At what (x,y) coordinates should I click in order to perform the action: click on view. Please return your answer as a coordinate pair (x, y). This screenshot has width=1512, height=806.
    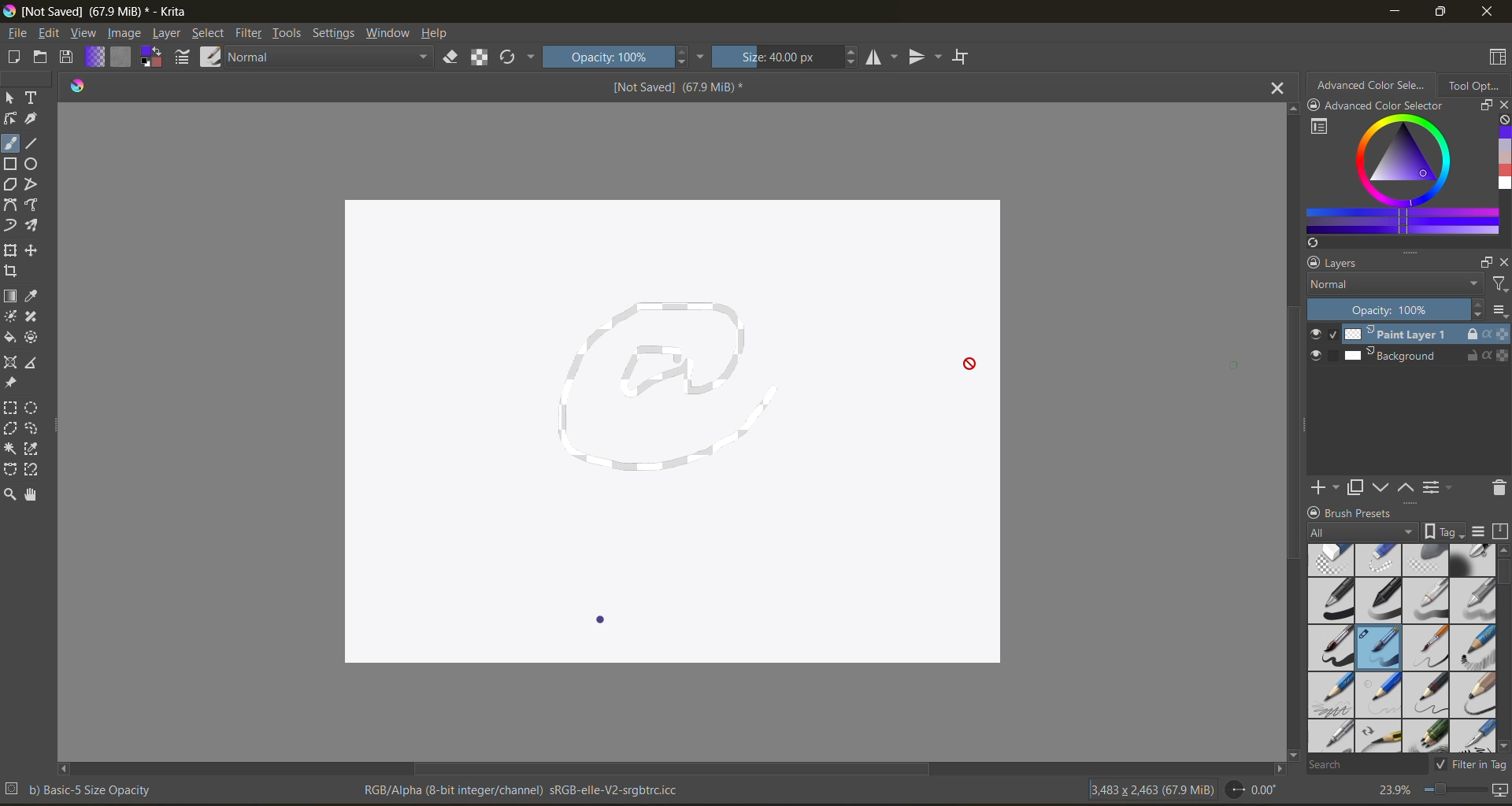
    Looking at the image, I should click on (83, 33).